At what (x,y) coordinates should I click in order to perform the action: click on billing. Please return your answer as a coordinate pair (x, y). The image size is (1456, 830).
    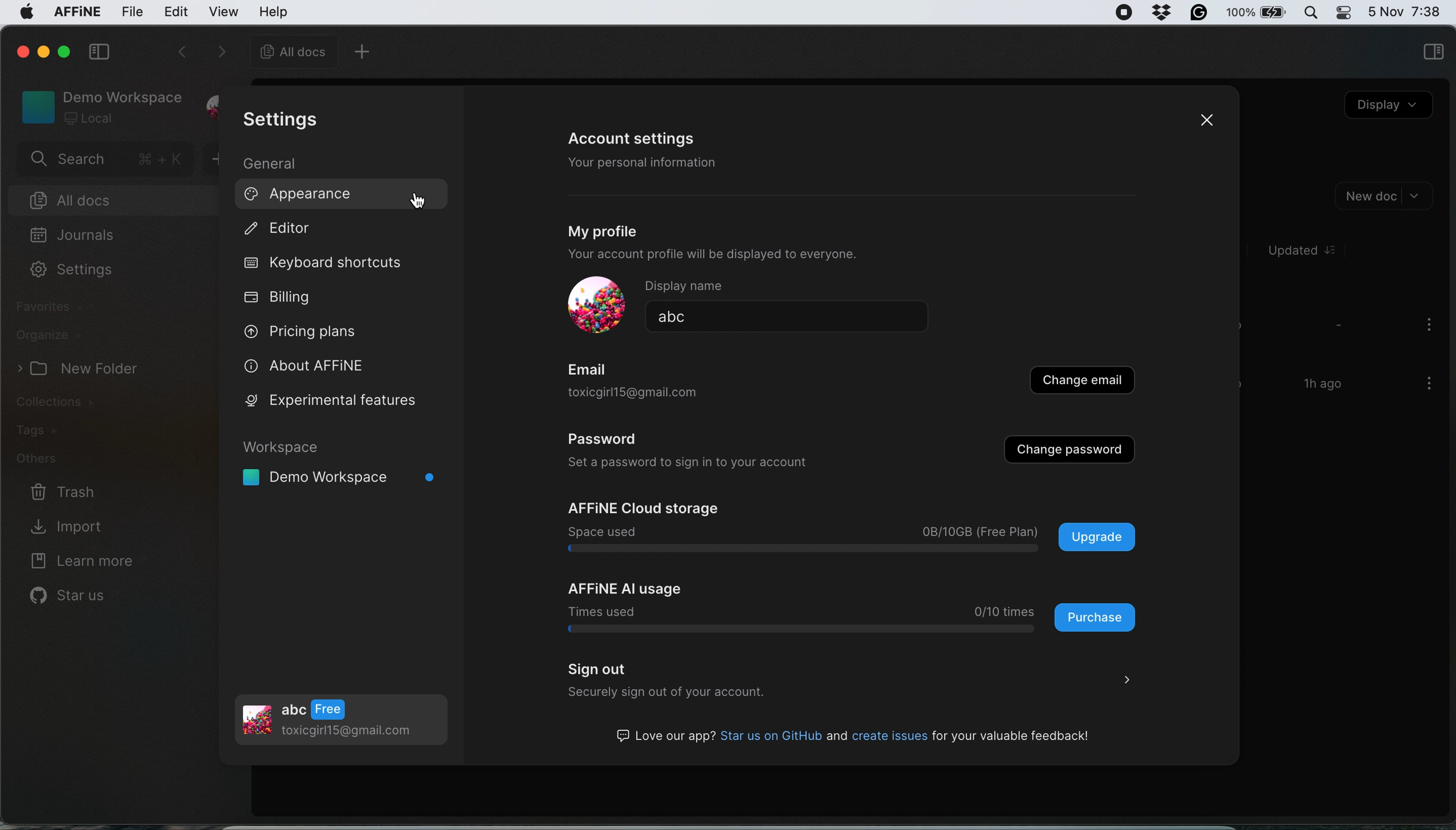
    Looking at the image, I should click on (280, 297).